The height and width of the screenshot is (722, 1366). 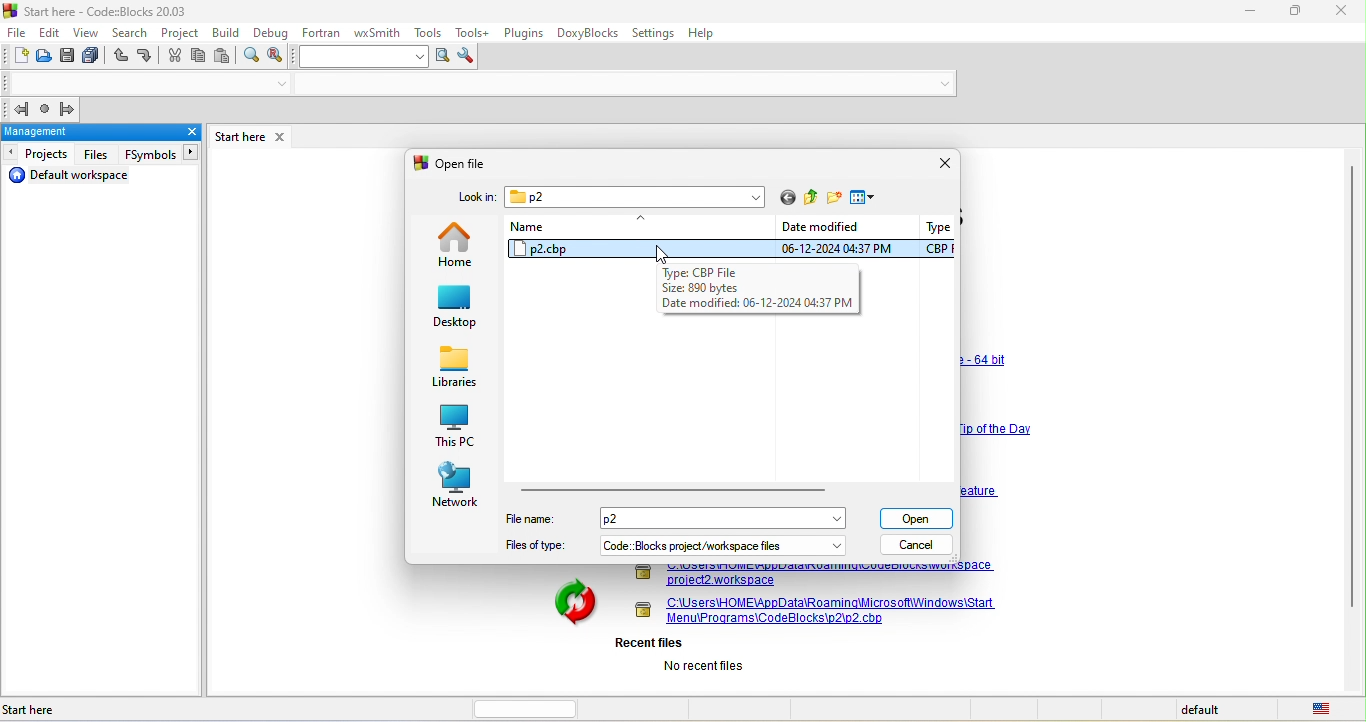 What do you see at coordinates (642, 250) in the screenshot?
I see `p2 cbp` at bounding box center [642, 250].